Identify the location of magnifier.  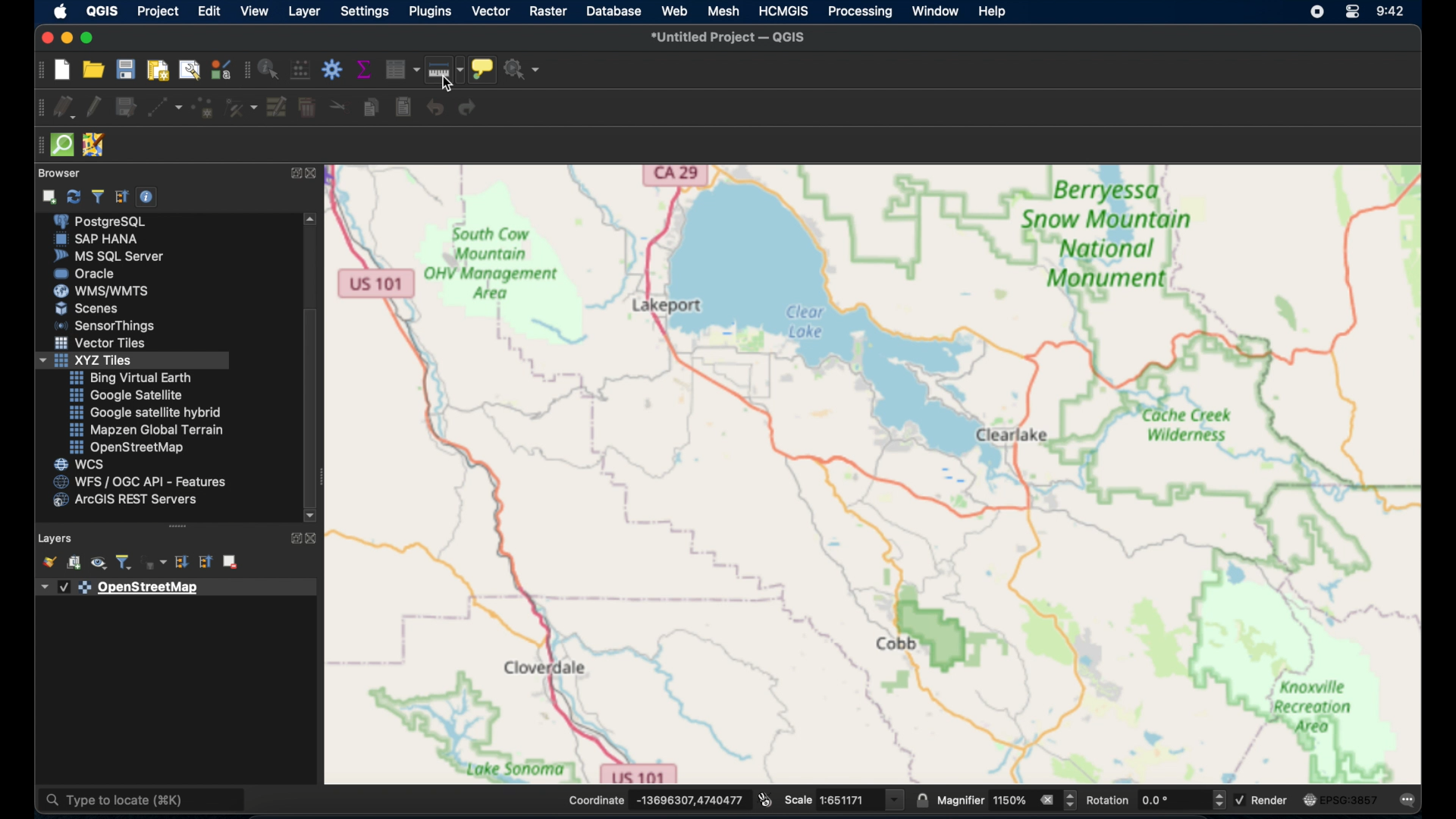
(1008, 801).